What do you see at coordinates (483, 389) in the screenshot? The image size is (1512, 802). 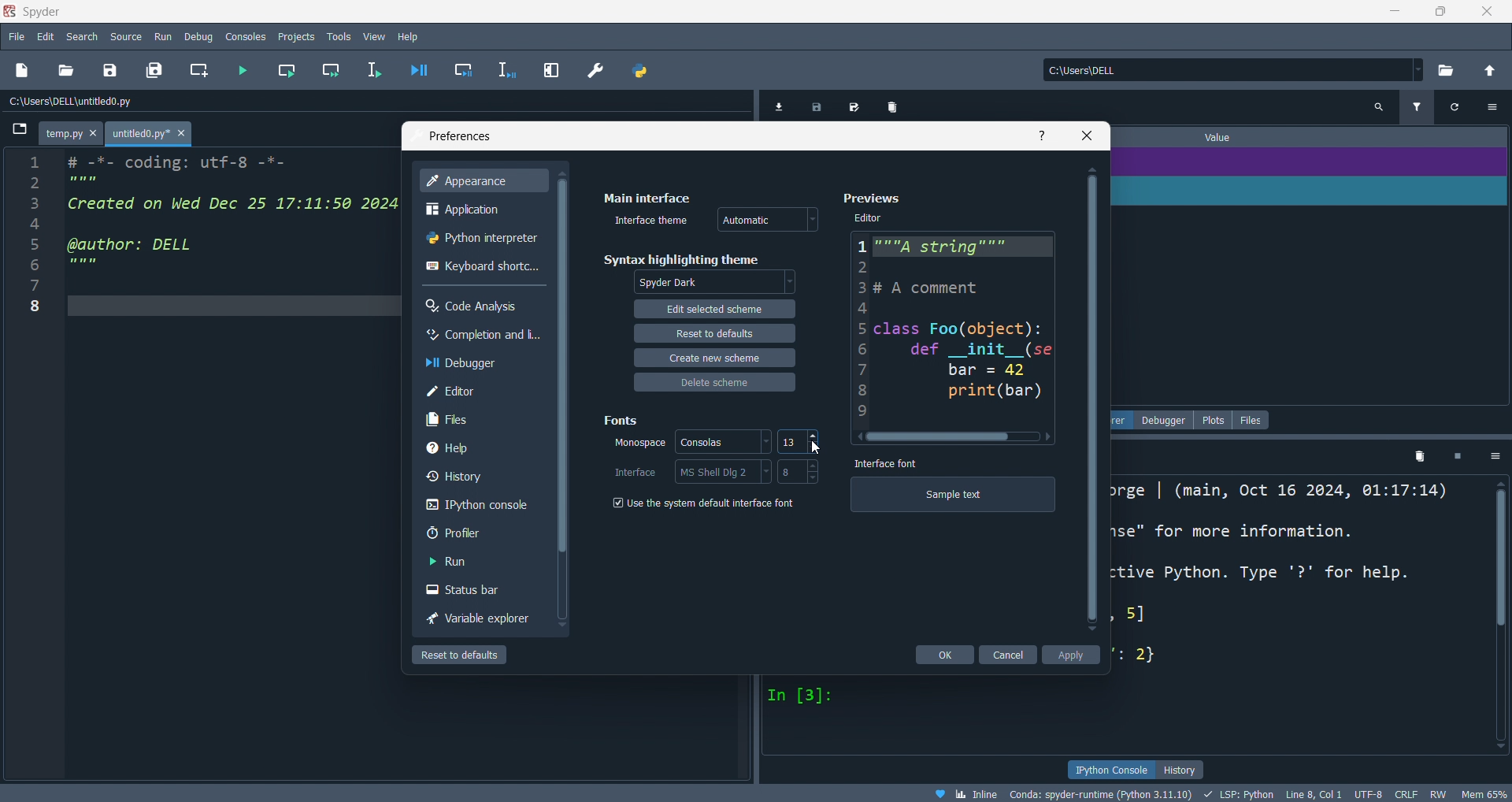 I see `editor` at bounding box center [483, 389].